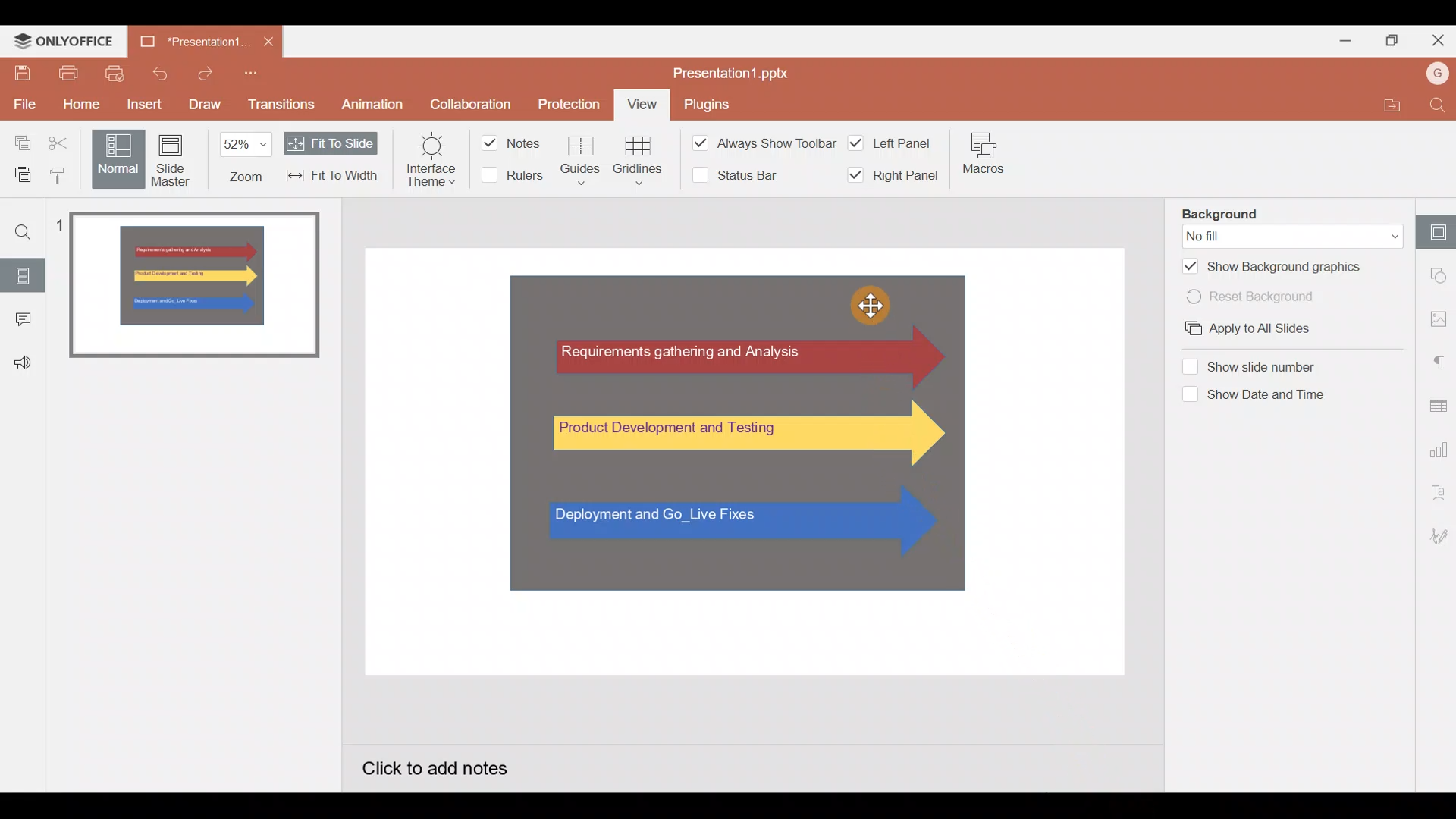  I want to click on Open file location, so click(1386, 105).